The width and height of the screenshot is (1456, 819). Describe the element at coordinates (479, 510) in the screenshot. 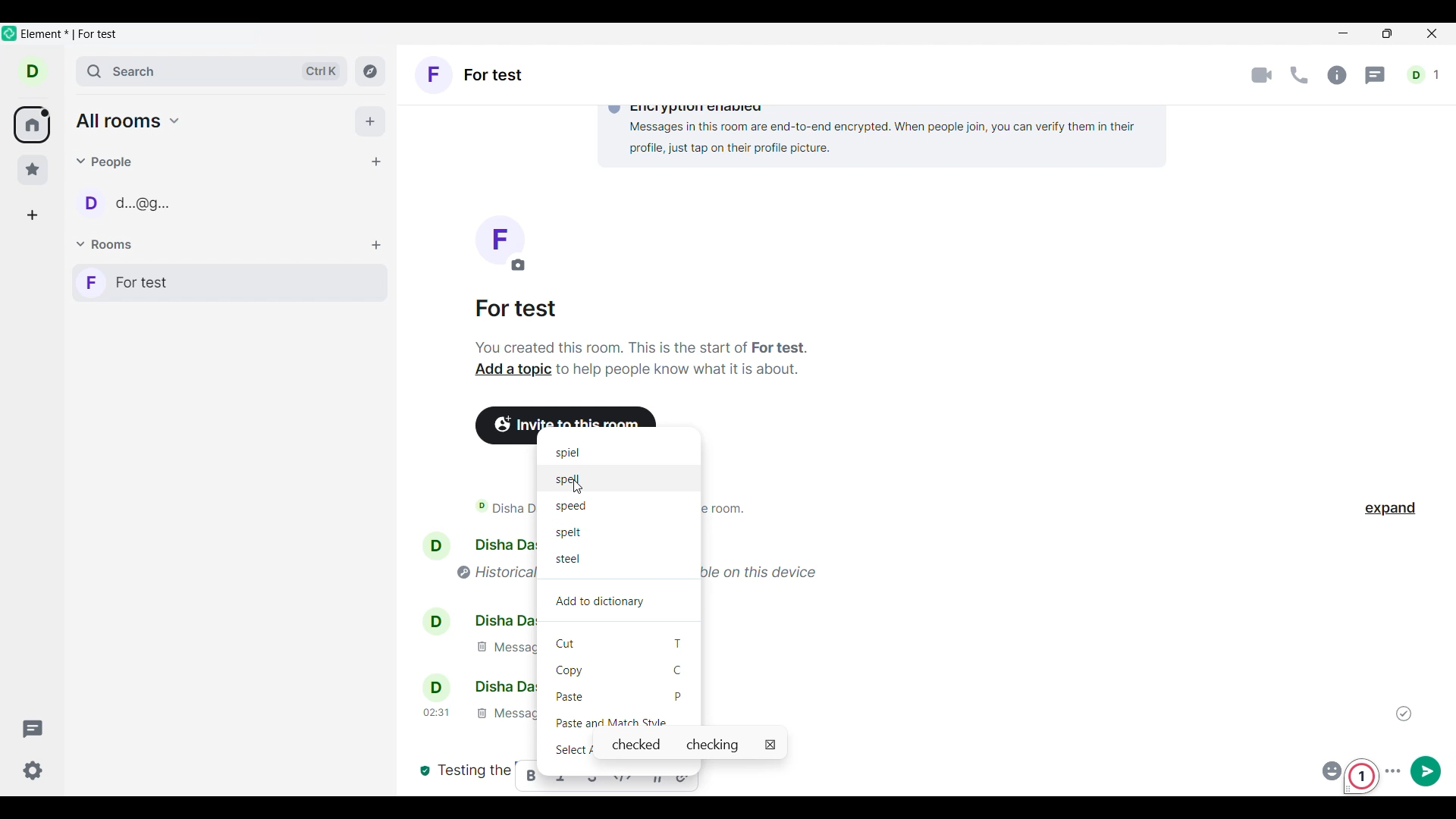

I see `Disha Das created and configured the room.` at that location.